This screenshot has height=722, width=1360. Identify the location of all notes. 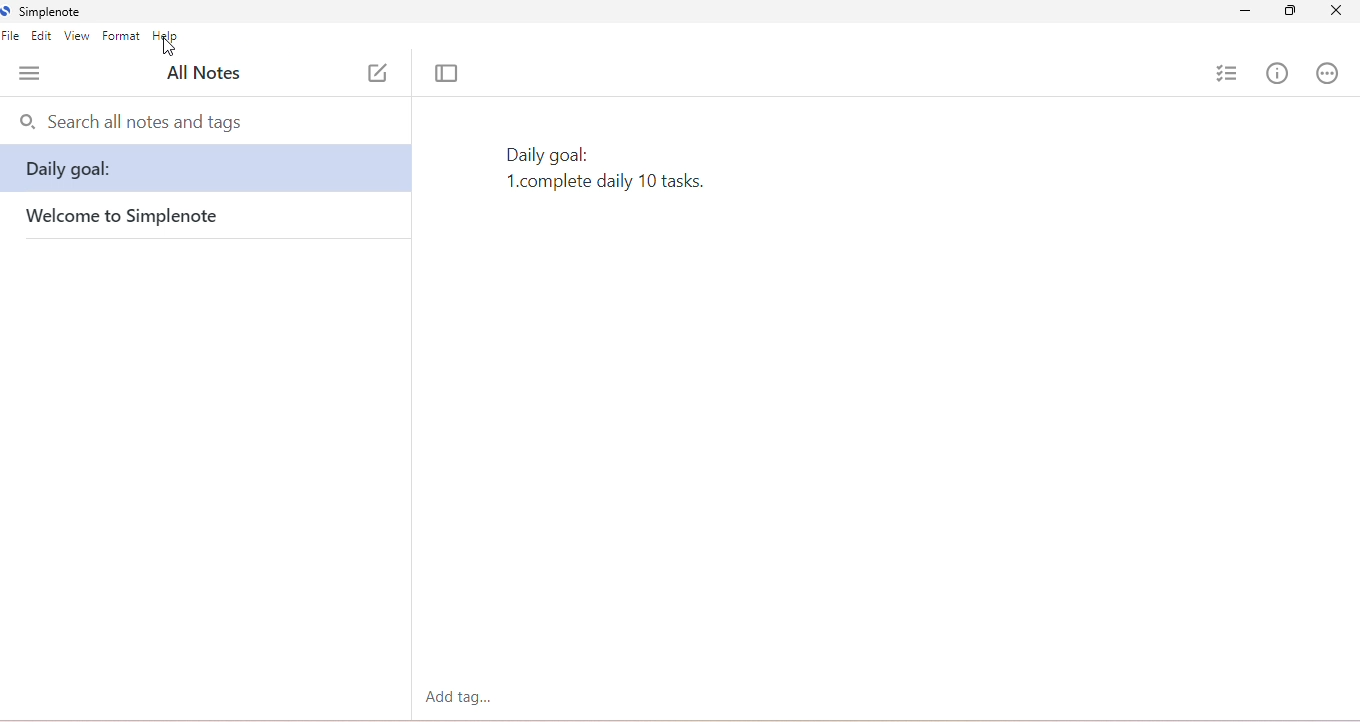
(205, 72).